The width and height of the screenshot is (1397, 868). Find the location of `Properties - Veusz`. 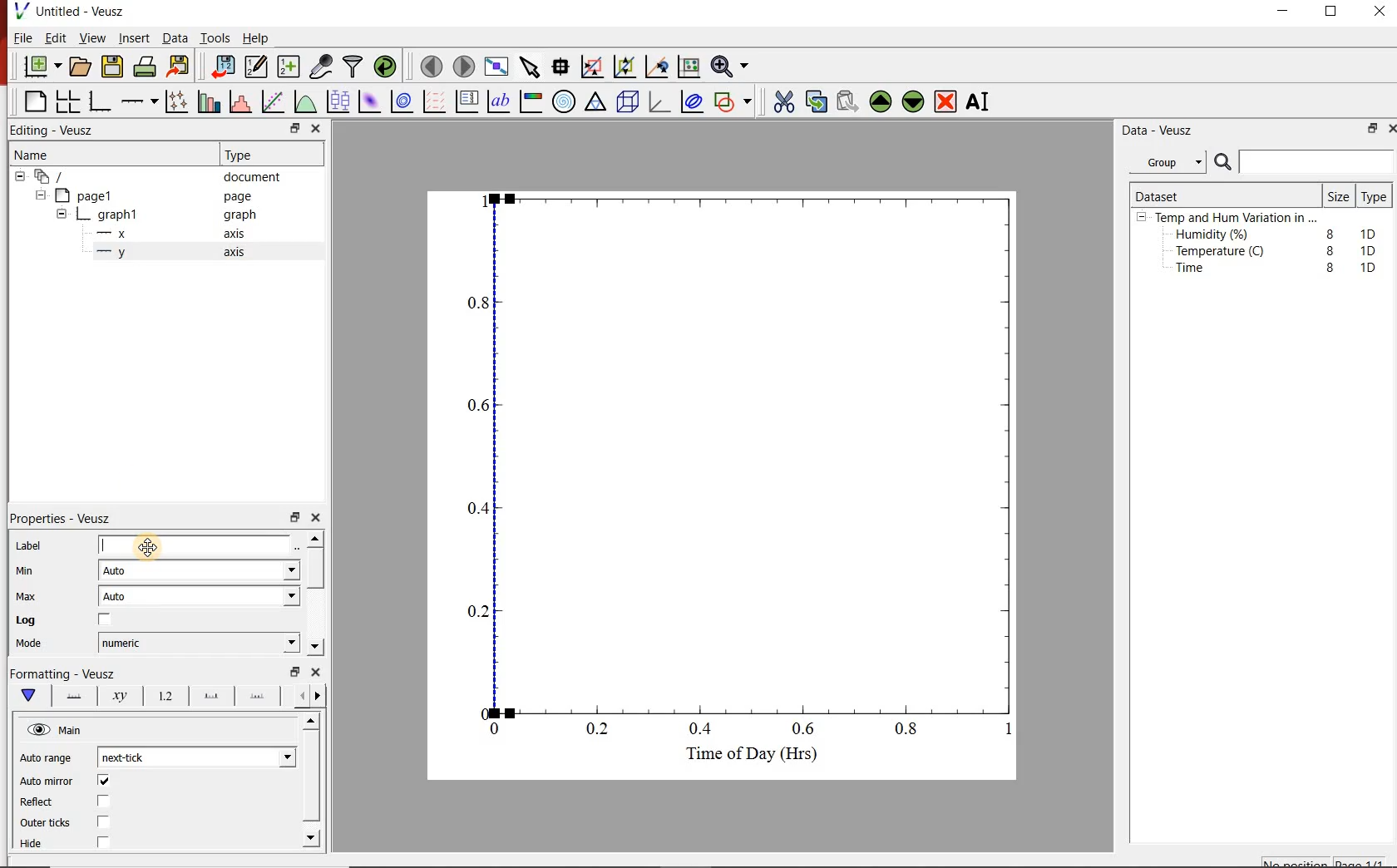

Properties - Veusz is located at coordinates (69, 515).